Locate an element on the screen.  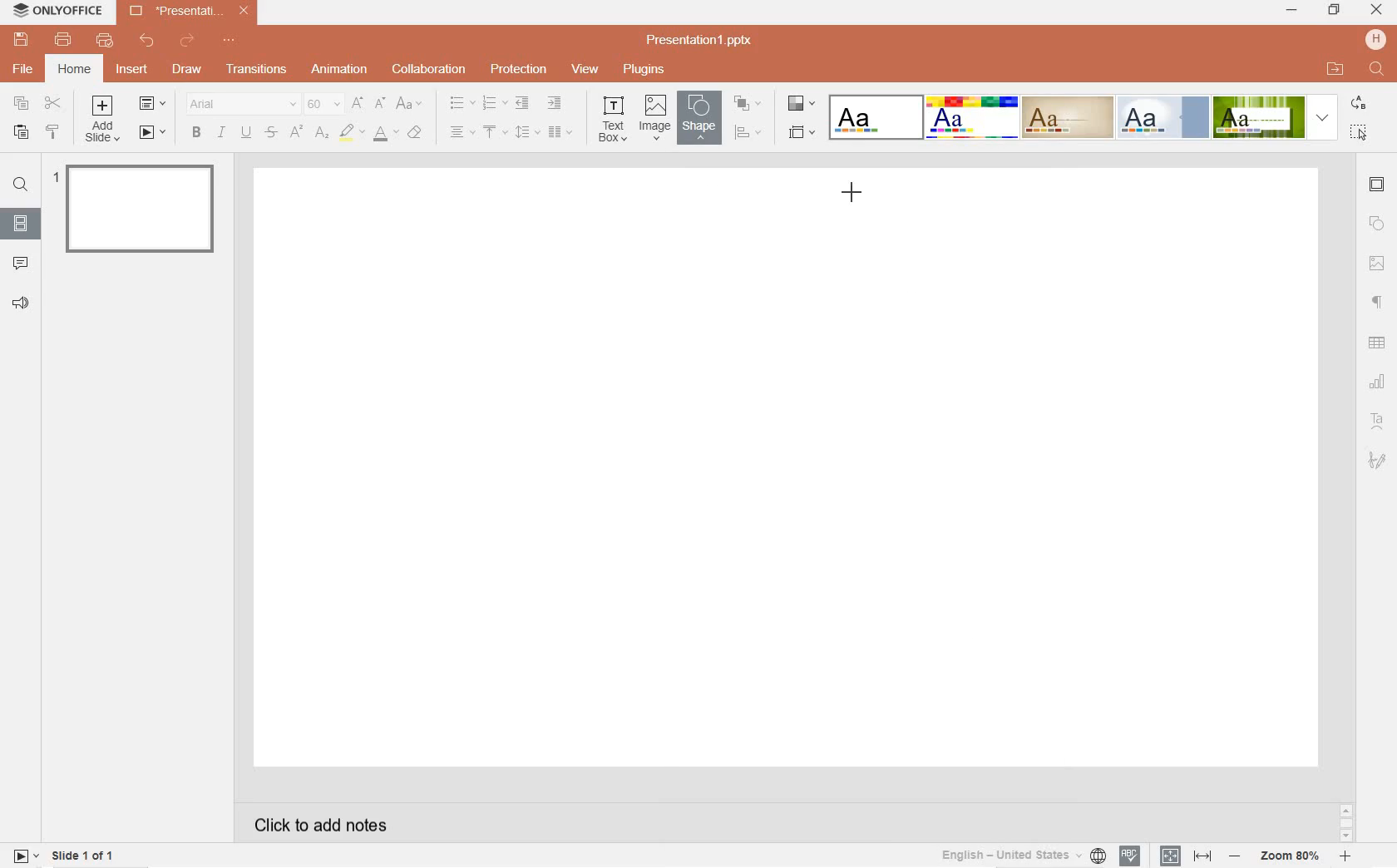
click to add notes is located at coordinates (314, 823).